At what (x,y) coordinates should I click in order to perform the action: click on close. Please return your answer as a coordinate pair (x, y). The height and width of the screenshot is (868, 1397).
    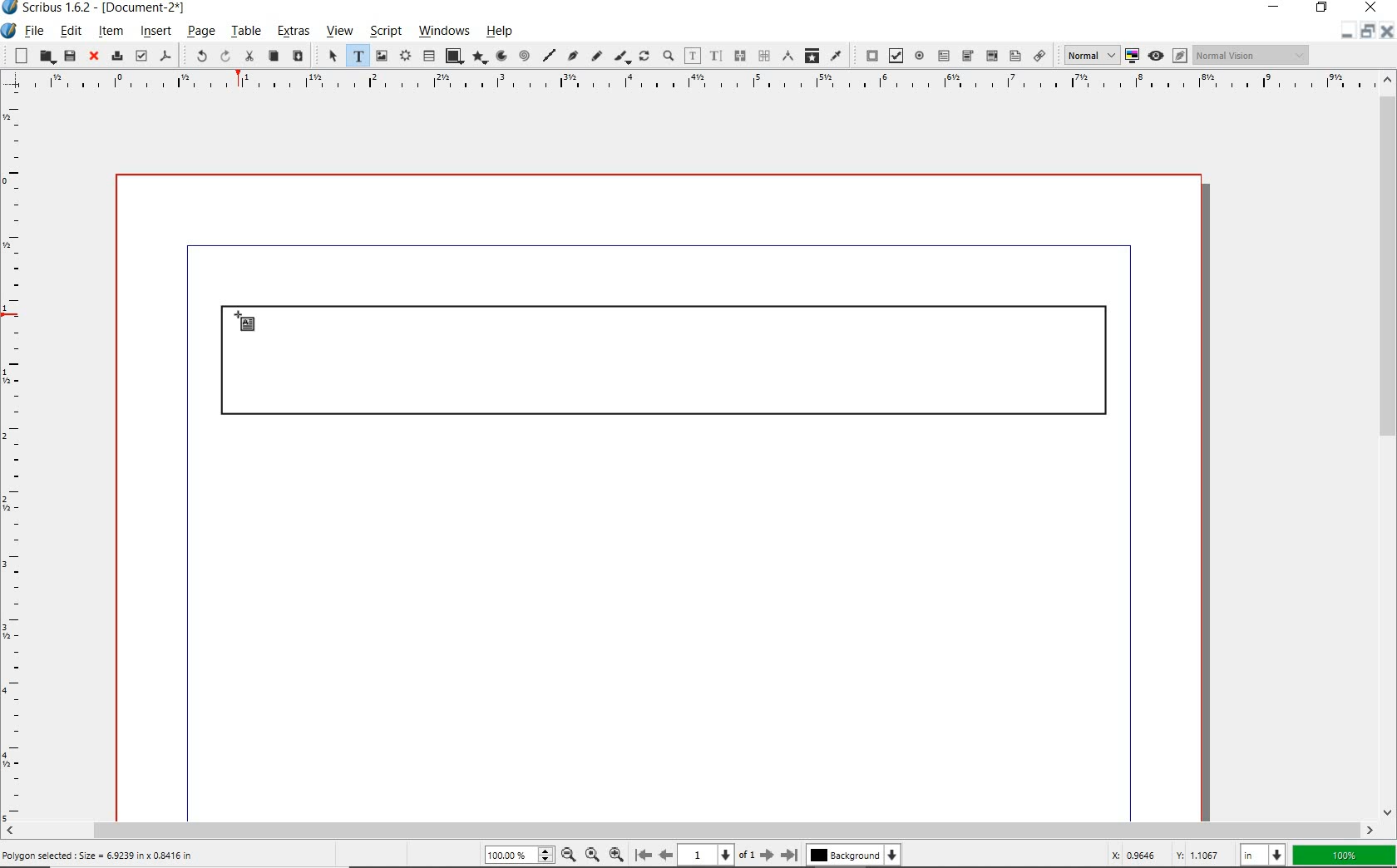
    Looking at the image, I should click on (1389, 32).